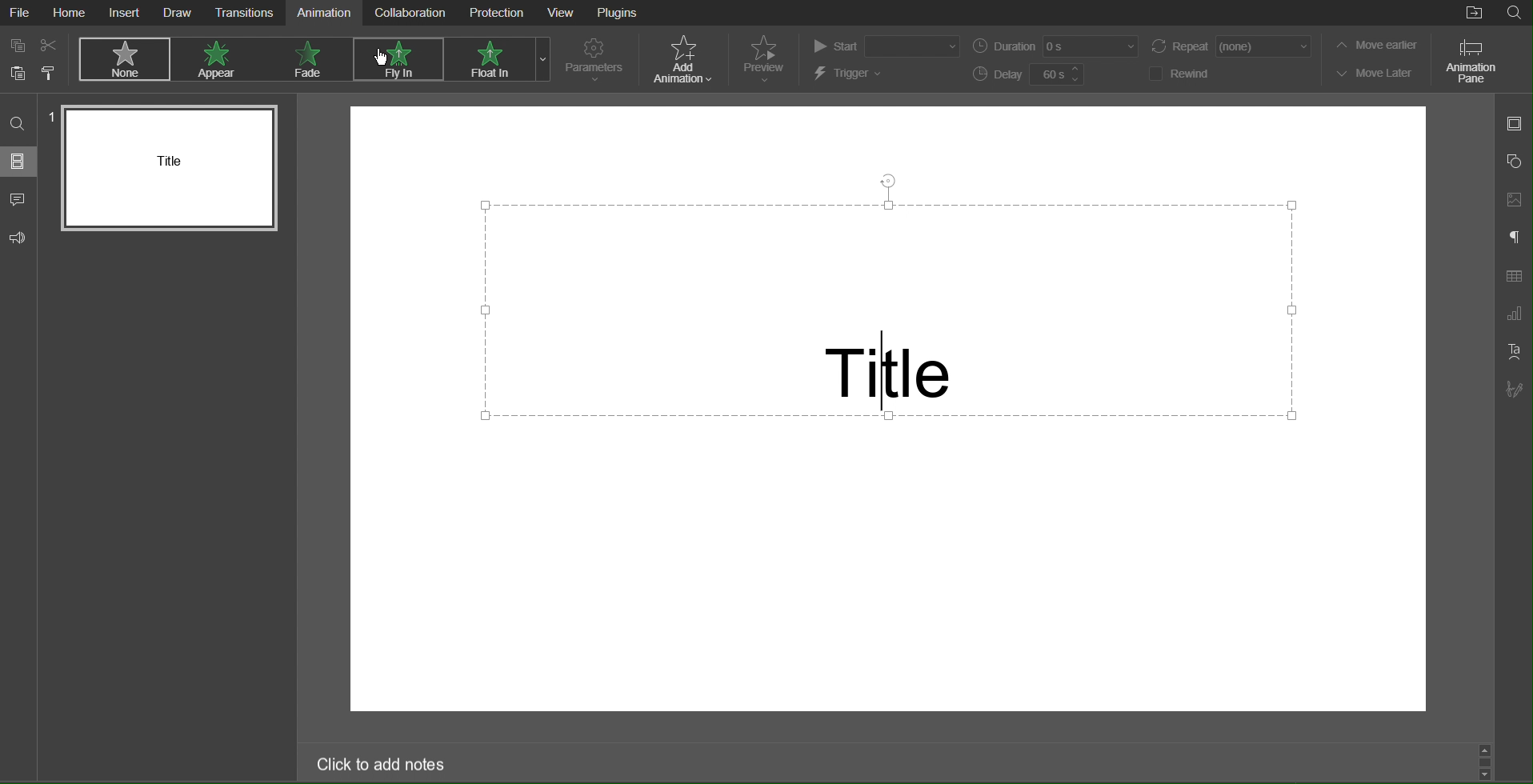 Image resolution: width=1533 pixels, height=784 pixels. I want to click on Image Settings, so click(1515, 201).